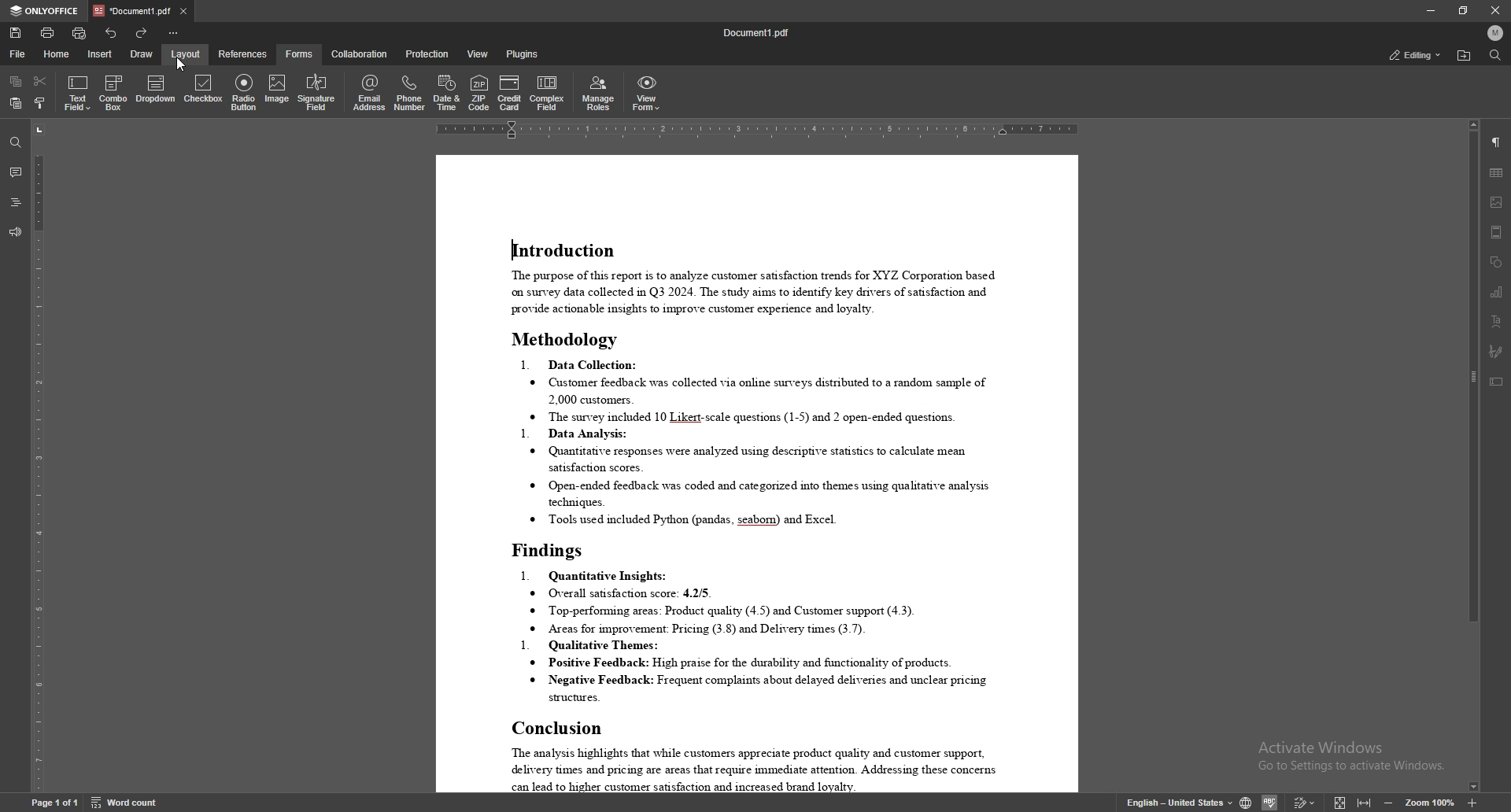 This screenshot has width=1511, height=812. I want to click on tab, so click(131, 11).